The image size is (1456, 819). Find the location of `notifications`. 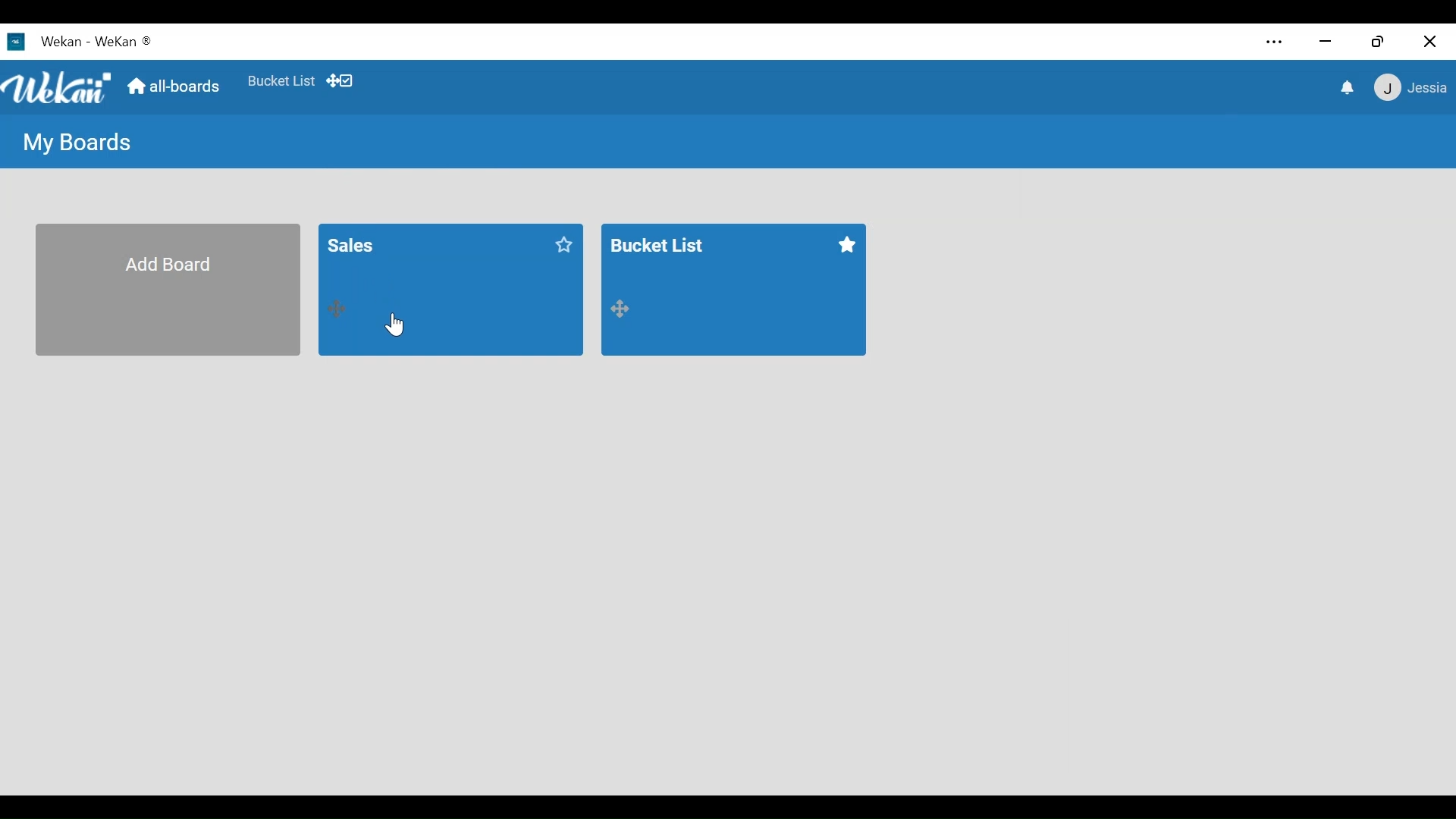

notifications is located at coordinates (1349, 88).